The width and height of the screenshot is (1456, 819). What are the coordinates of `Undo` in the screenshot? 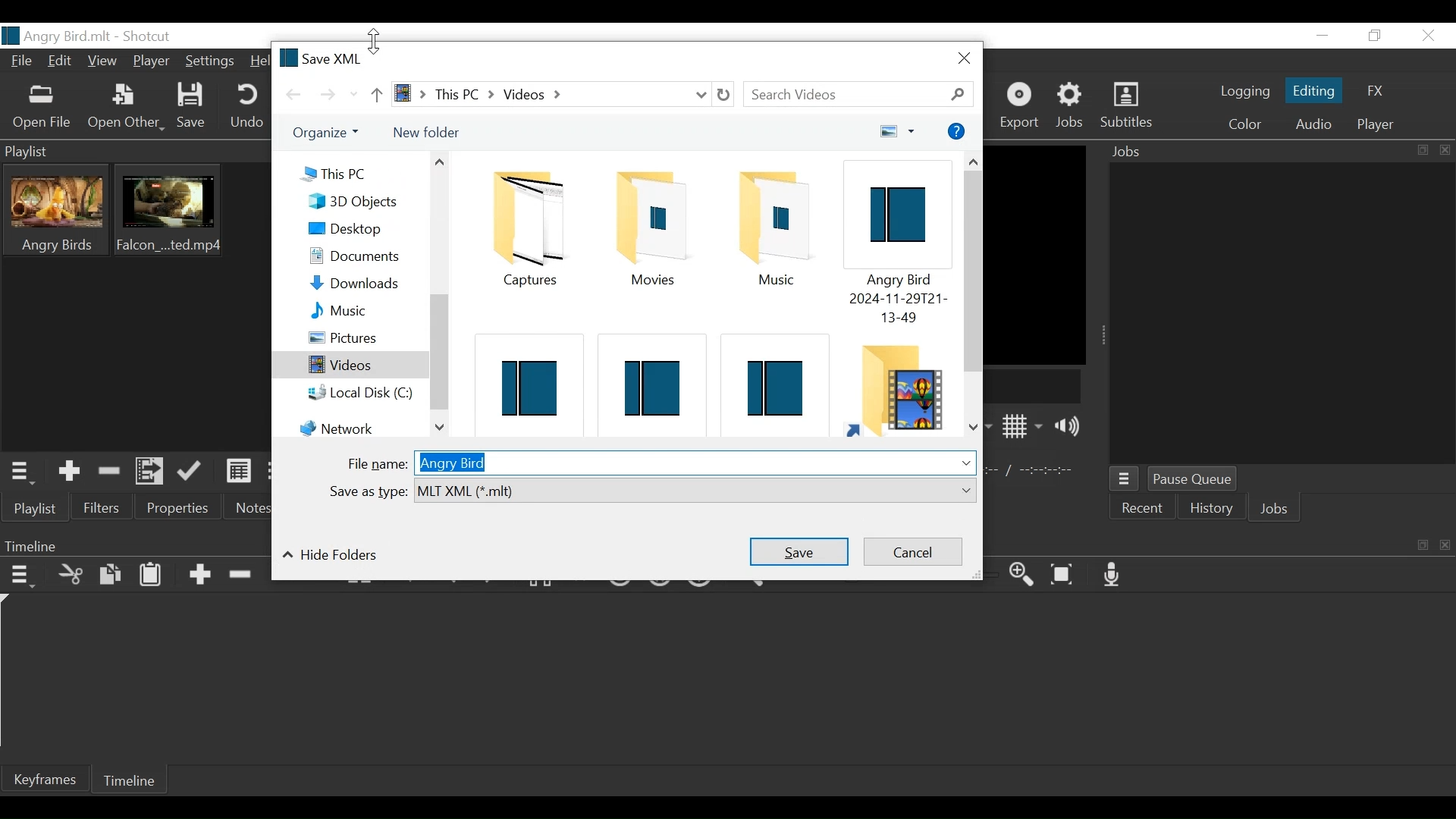 It's located at (245, 106).